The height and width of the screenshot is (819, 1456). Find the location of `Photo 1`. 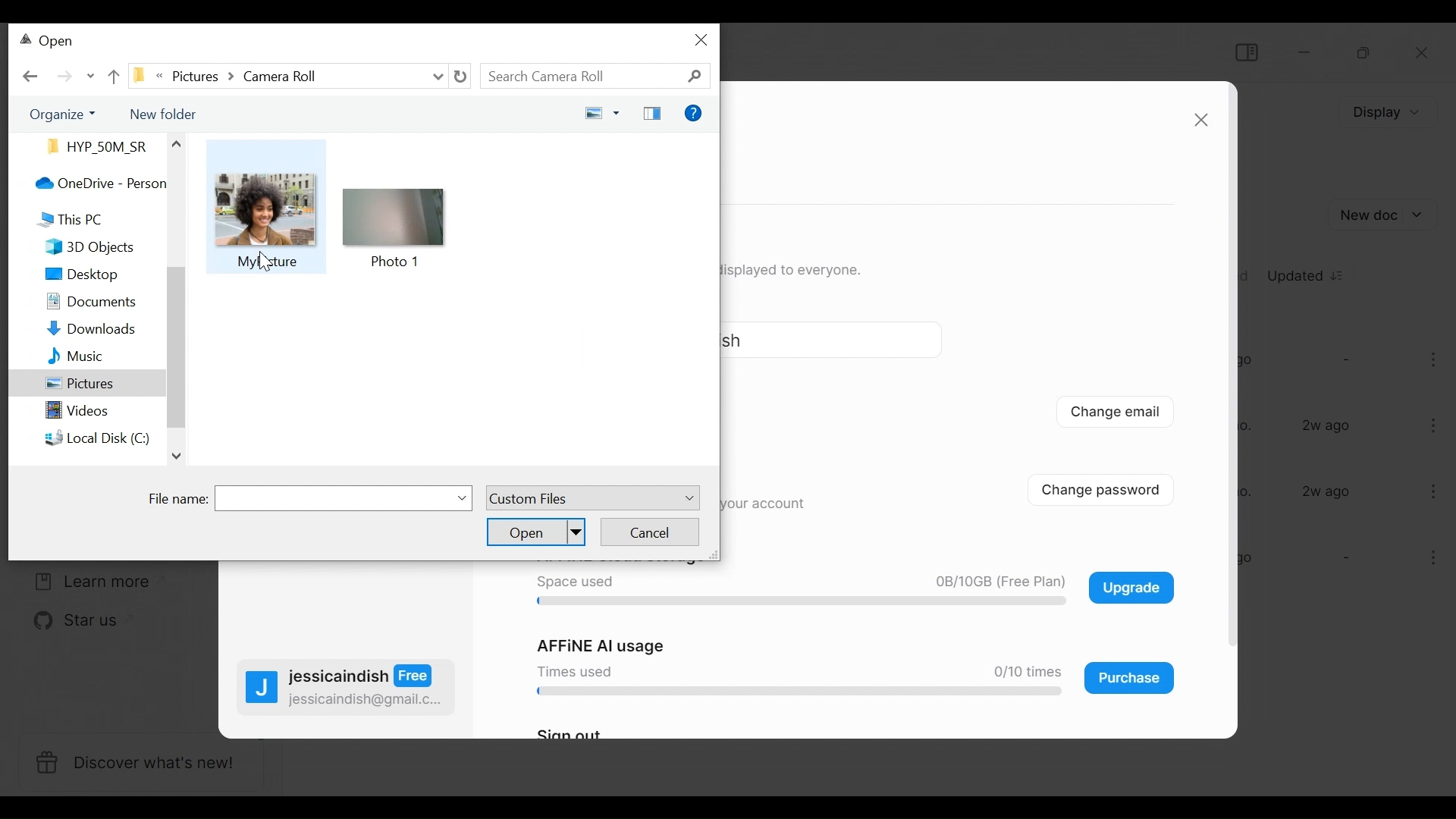

Photo 1 is located at coordinates (397, 262).